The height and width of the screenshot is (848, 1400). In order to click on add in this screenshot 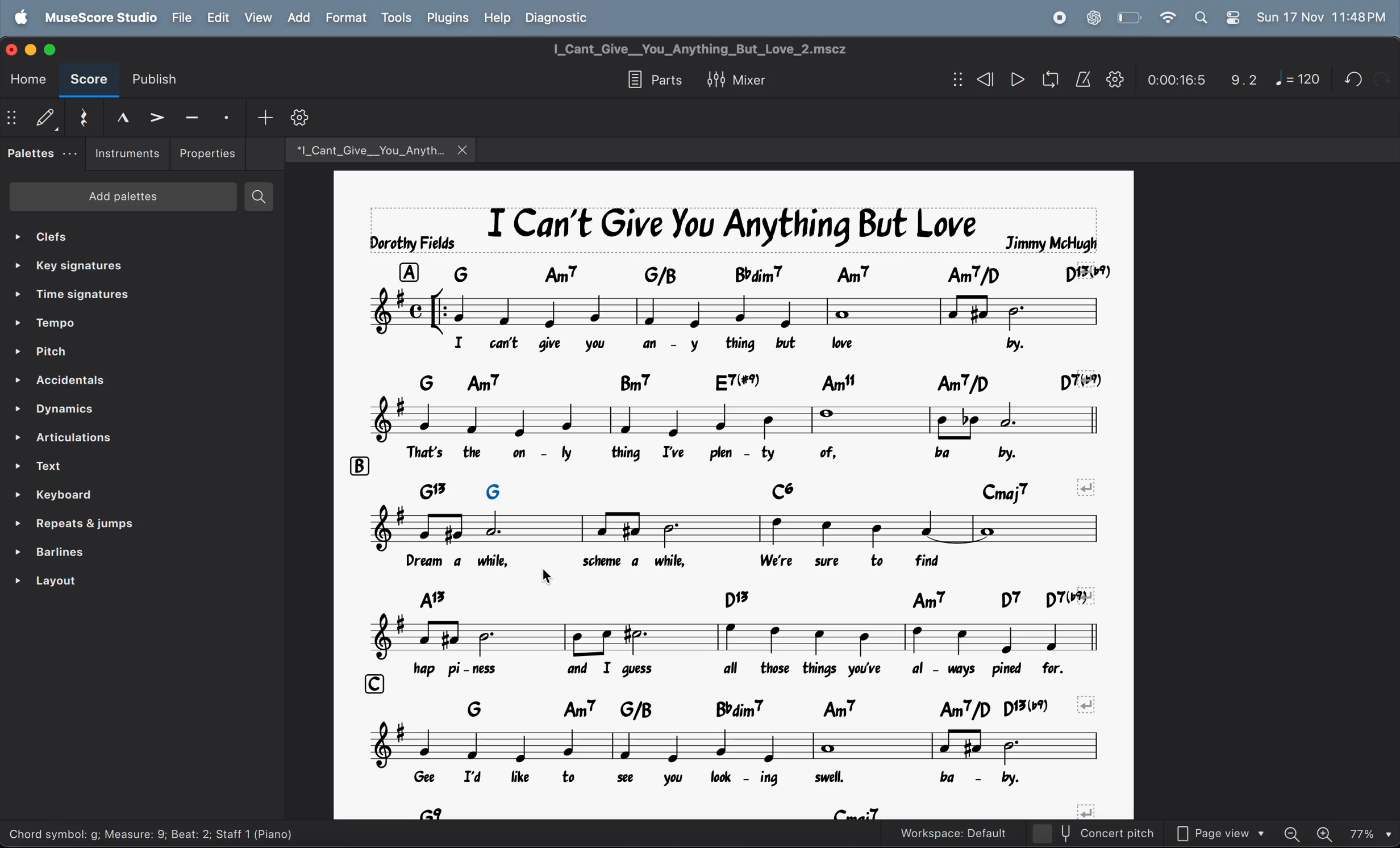, I will do `click(299, 18)`.